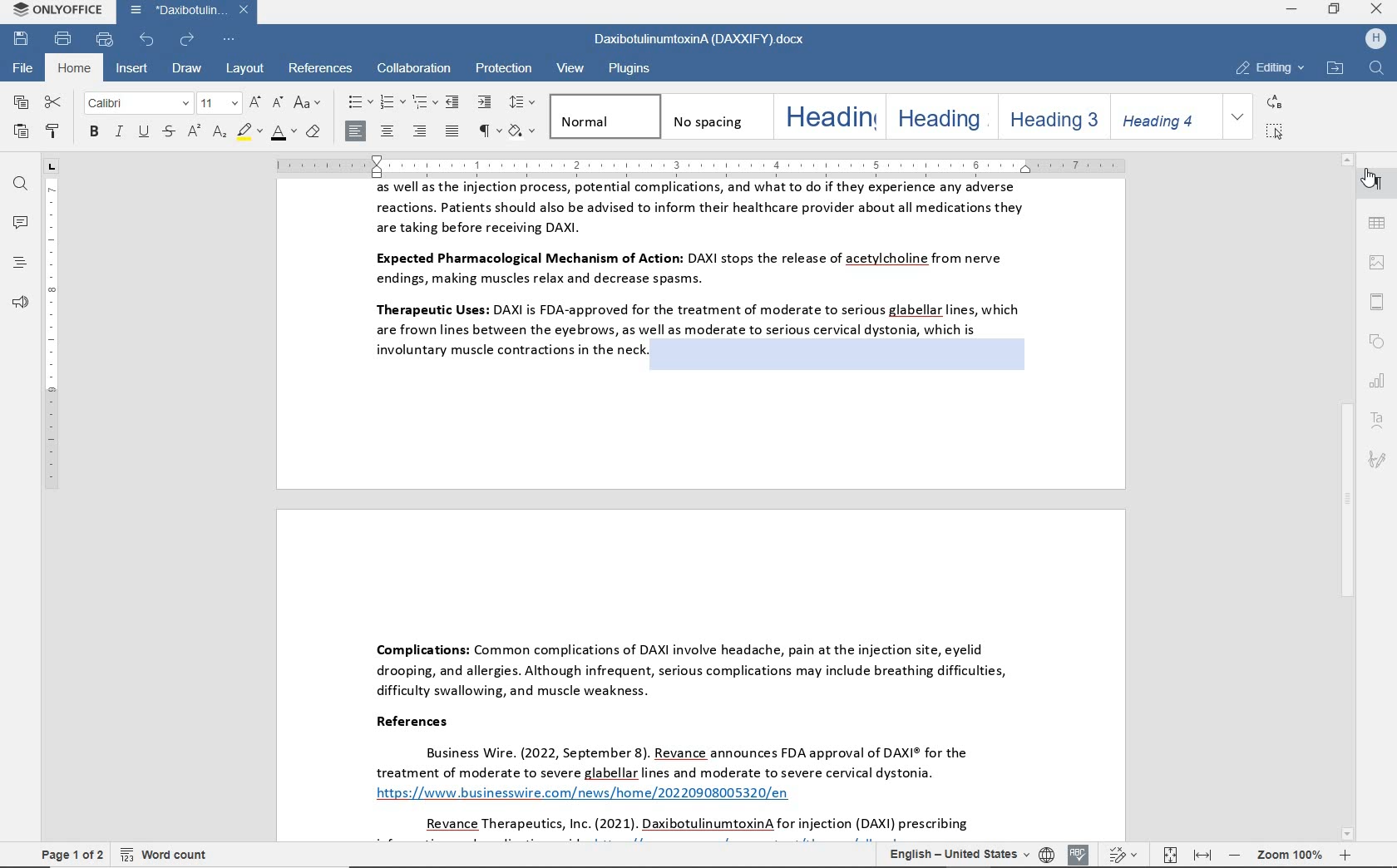  Describe the element at coordinates (17, 264) in the screenshot. I see `headings` at that location.